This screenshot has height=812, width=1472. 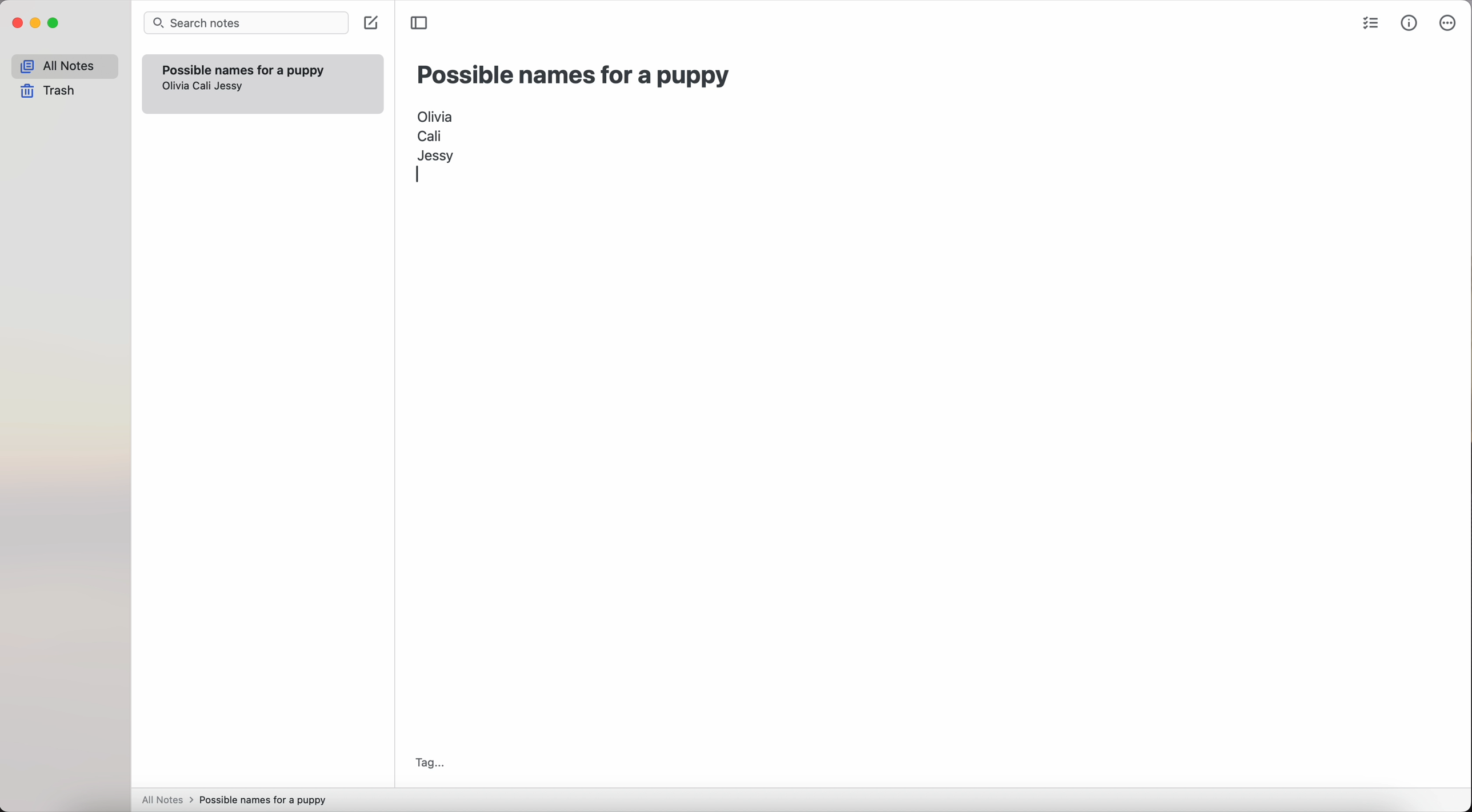 What do you see at coordinates (206, 87) in the screenshot?
I see `Cali` at bounding box center [206, 87].